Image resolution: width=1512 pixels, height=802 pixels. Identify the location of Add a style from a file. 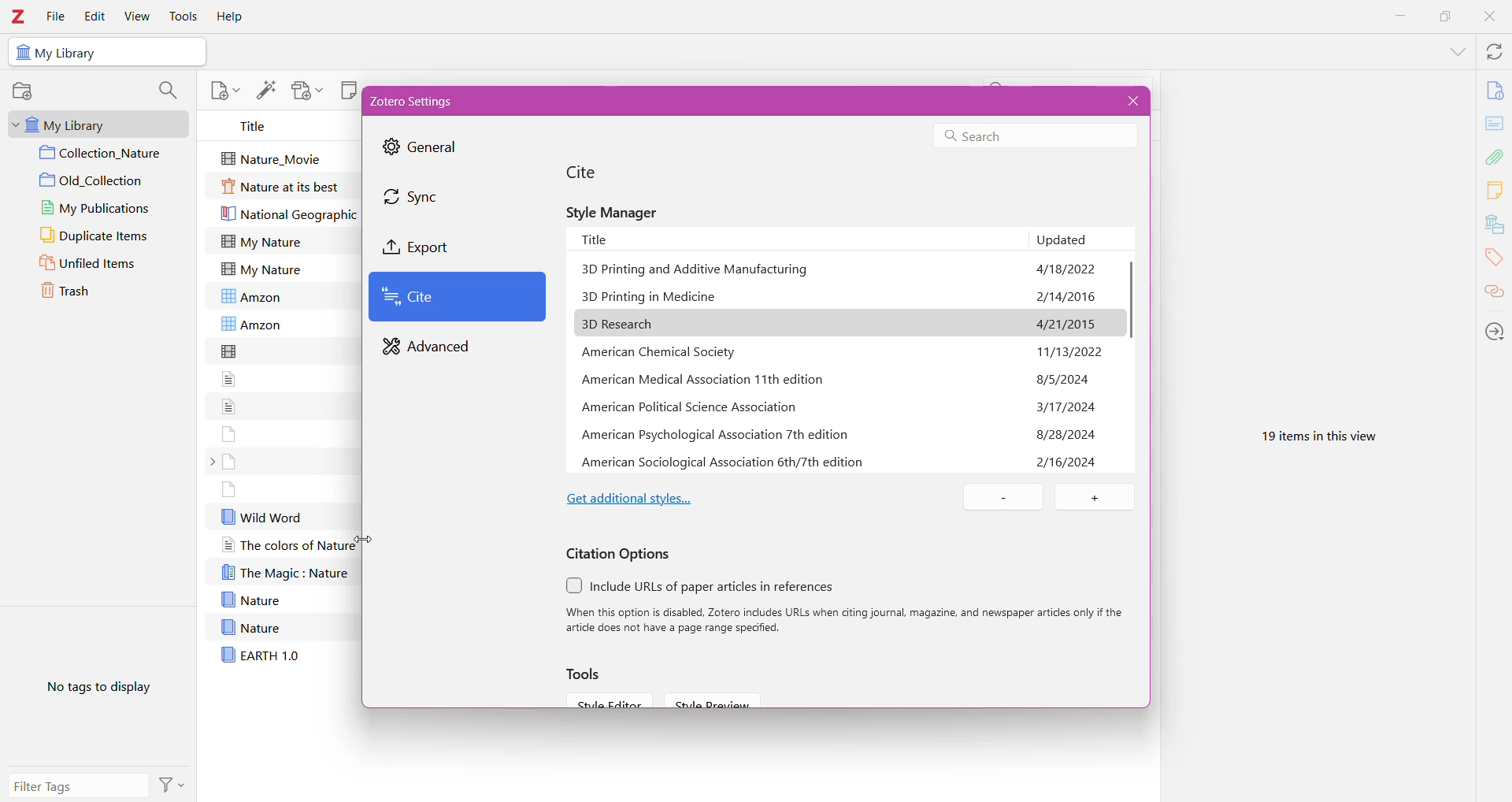
(1094, 498).